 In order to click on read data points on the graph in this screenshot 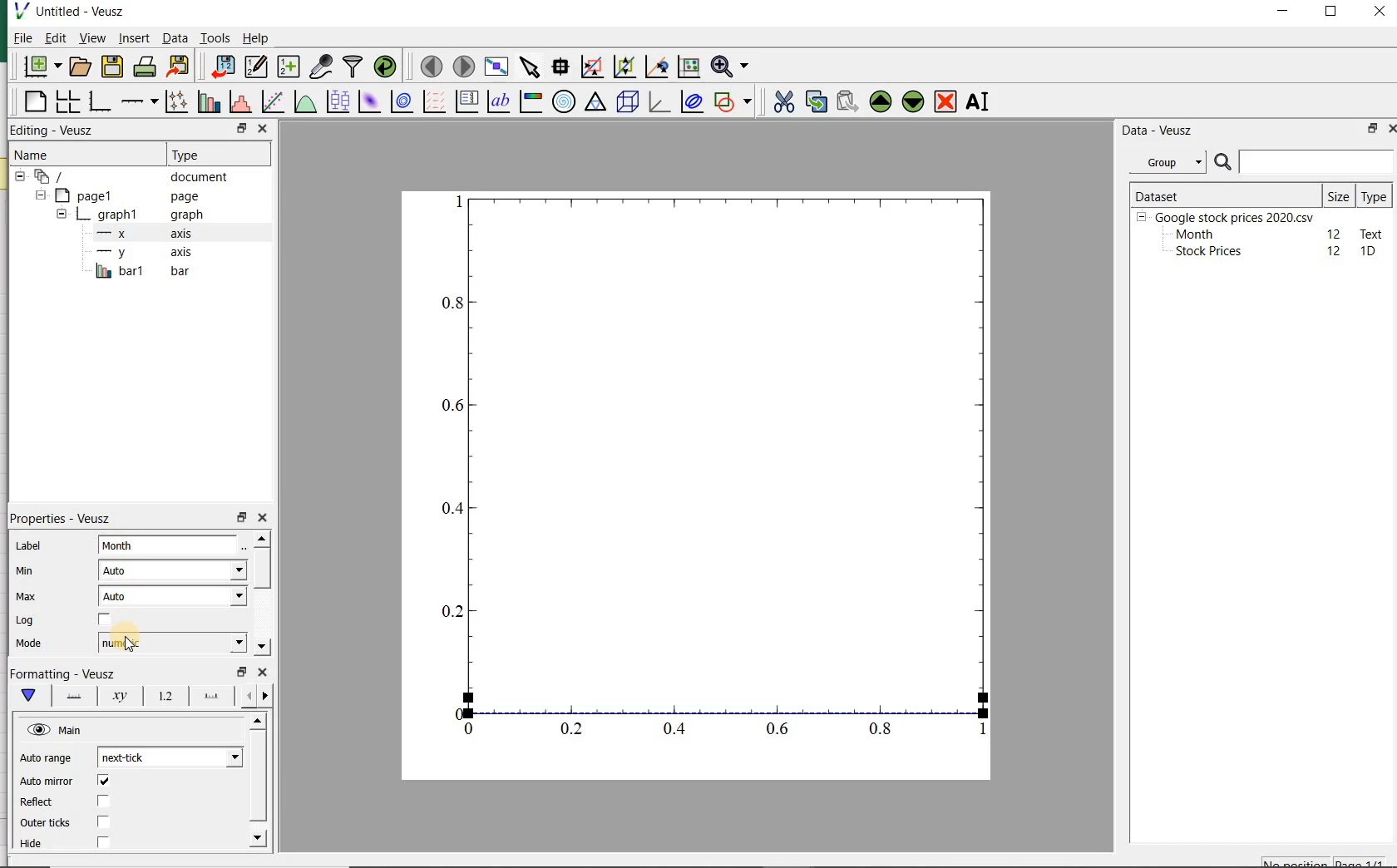, I will do `click(559, 67)`.